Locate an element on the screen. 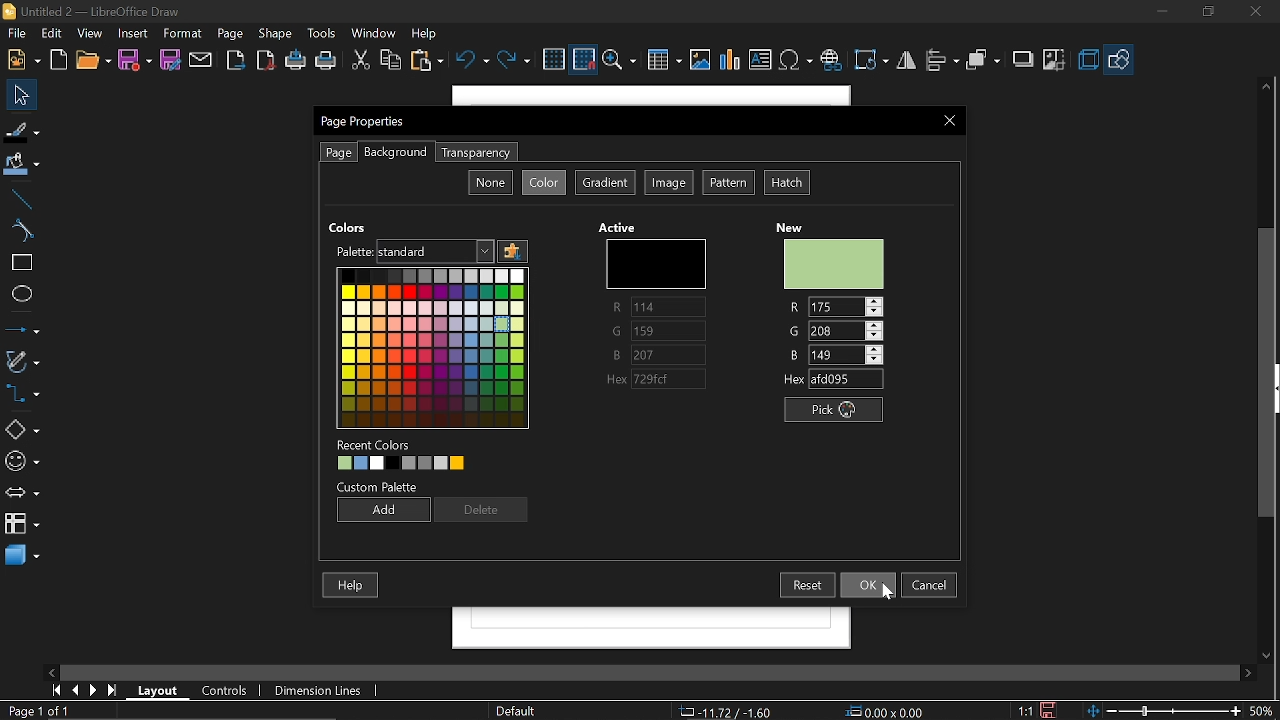 The height and width of the screenshot is (720, 1280). Position is located at coordinates (886, 710).